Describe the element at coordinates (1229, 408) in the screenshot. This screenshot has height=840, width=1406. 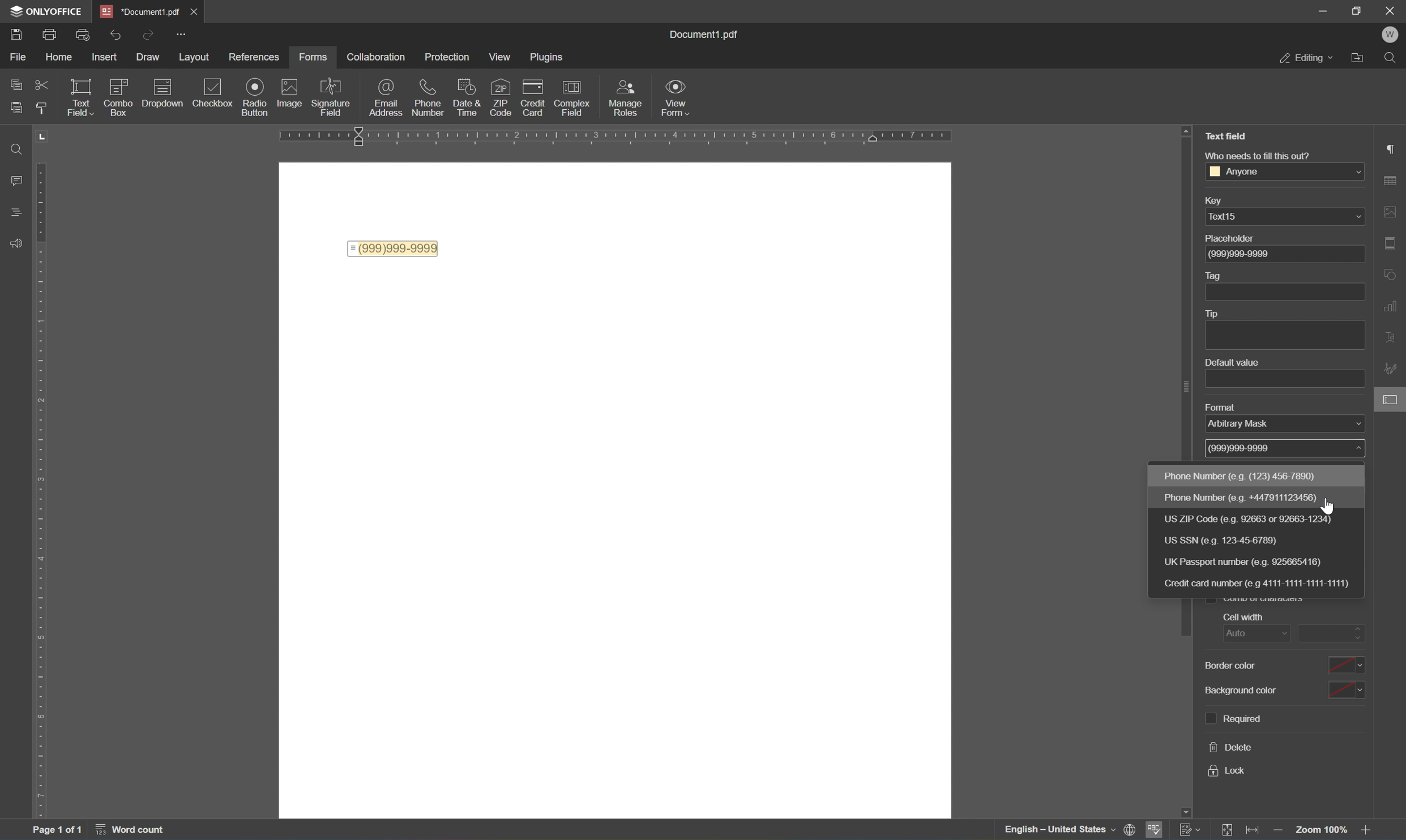
I see `format` at that location.